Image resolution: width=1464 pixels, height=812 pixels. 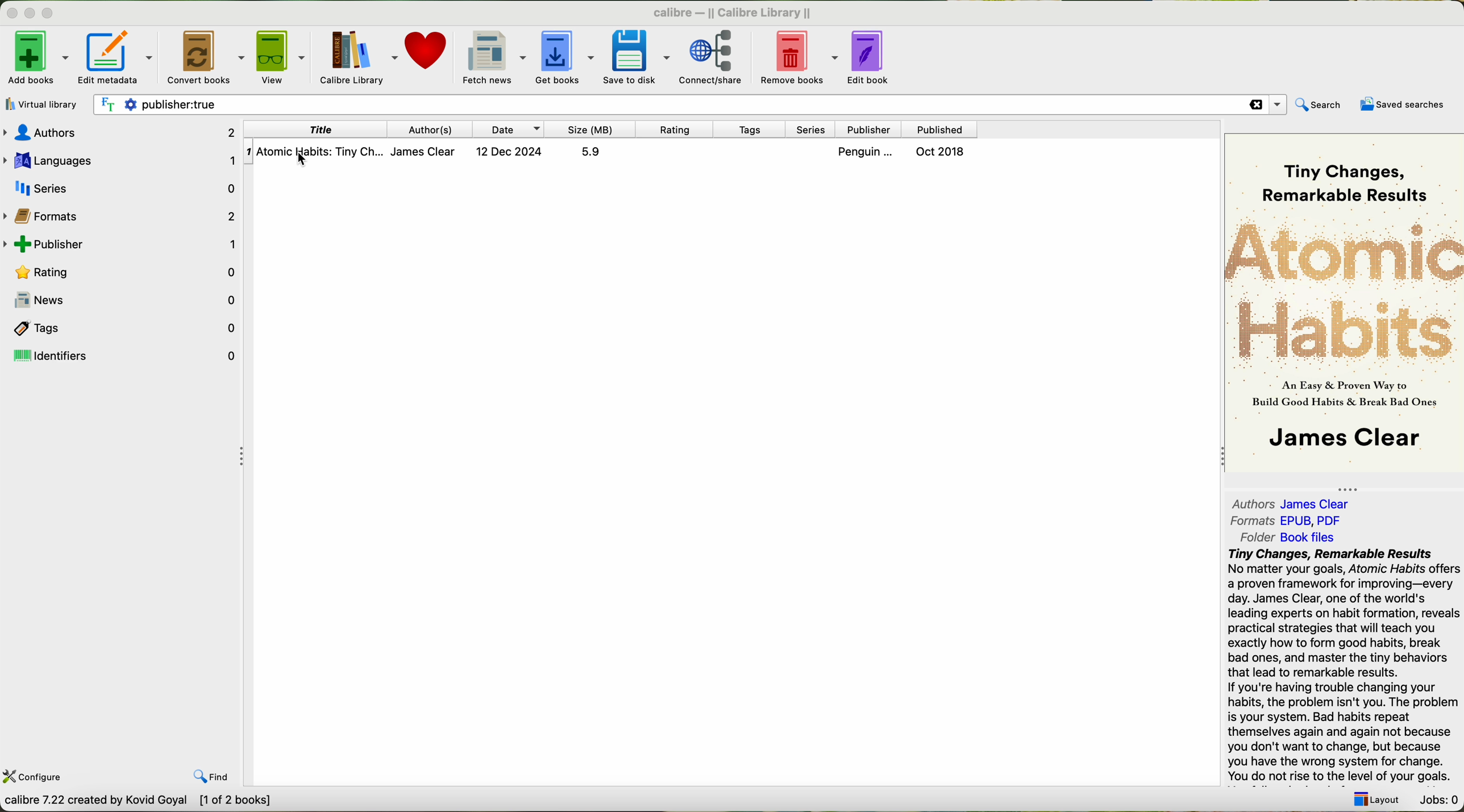 What do you see at coordinates (214, 777) in the screenshot?
I see `find` at bounding box center [214, 777].